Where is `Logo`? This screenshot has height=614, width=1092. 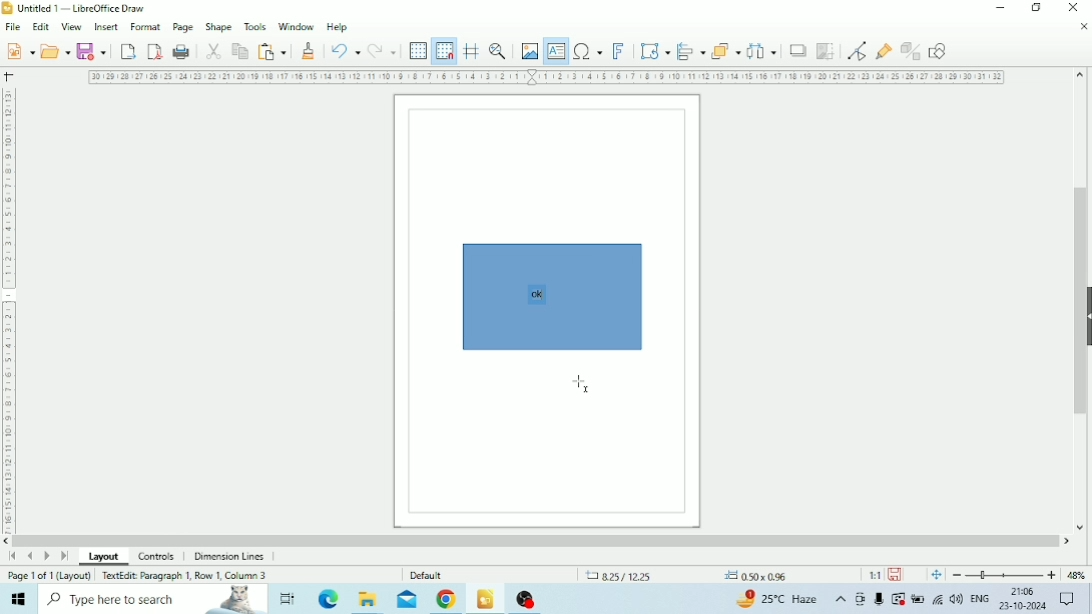
Logo is located at coordinates (8, 8).